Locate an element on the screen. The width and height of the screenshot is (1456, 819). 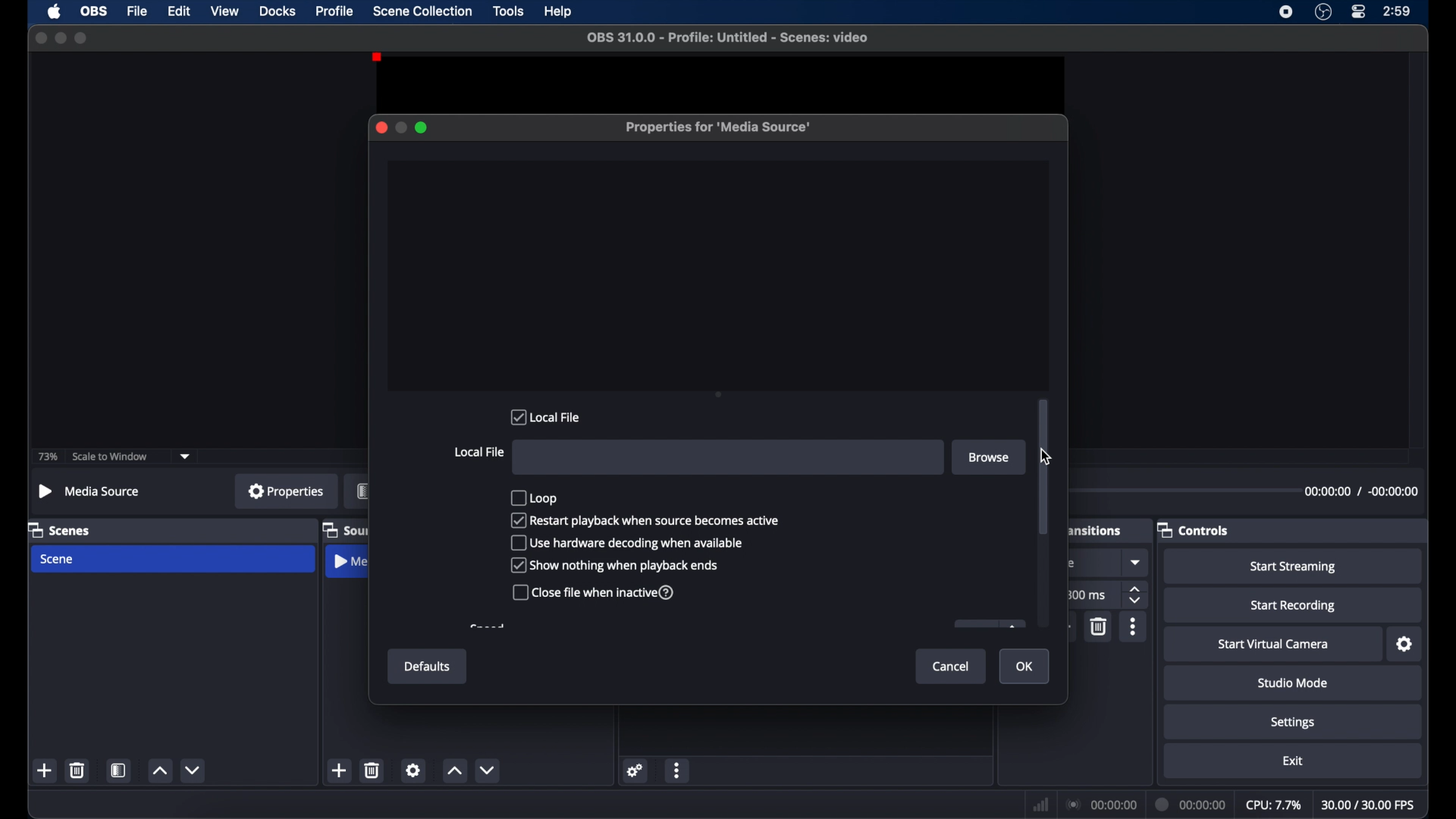
time is located at coordinates (1398, 11).